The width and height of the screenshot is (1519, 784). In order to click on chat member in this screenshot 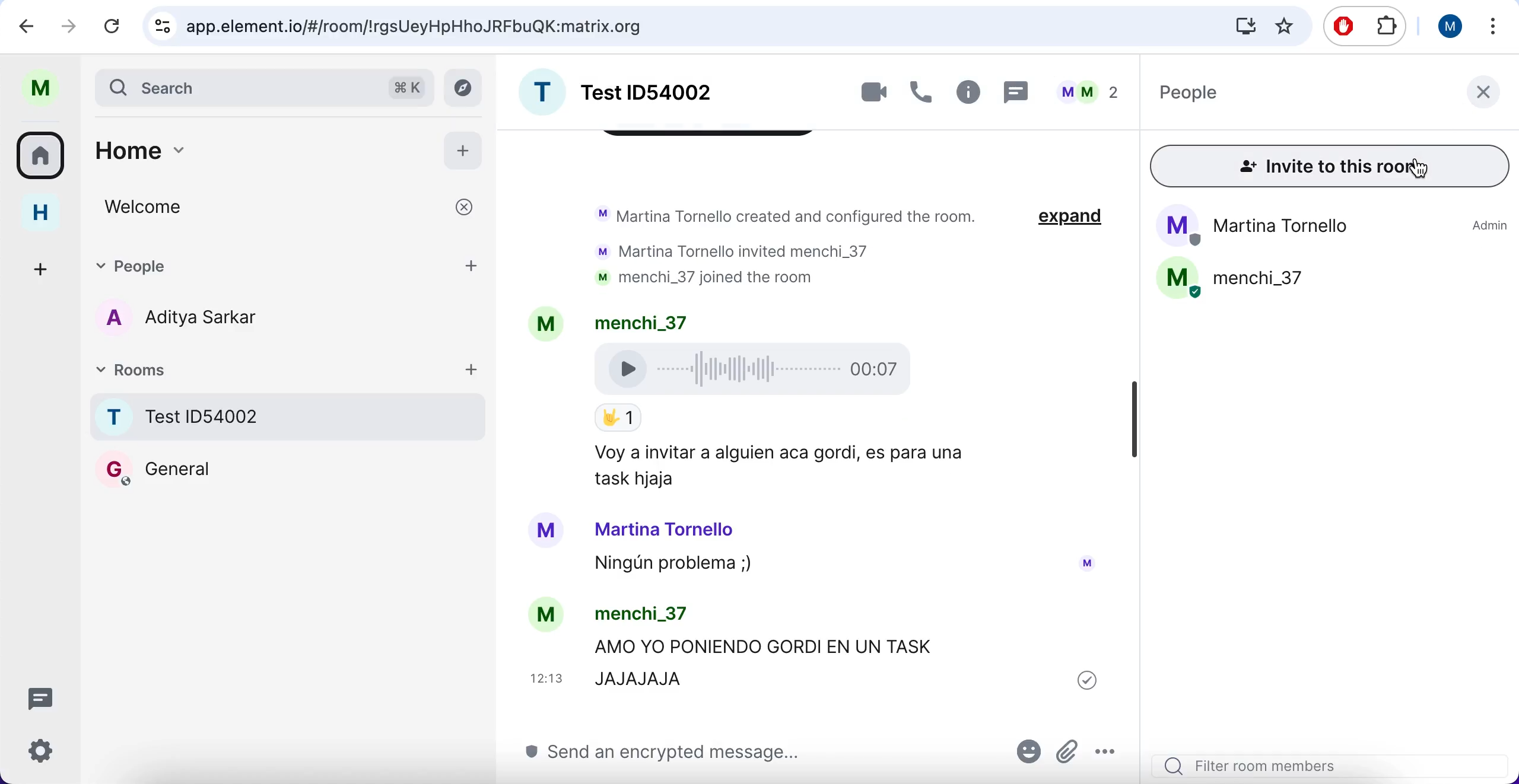, I will do `click(275, 317)`.